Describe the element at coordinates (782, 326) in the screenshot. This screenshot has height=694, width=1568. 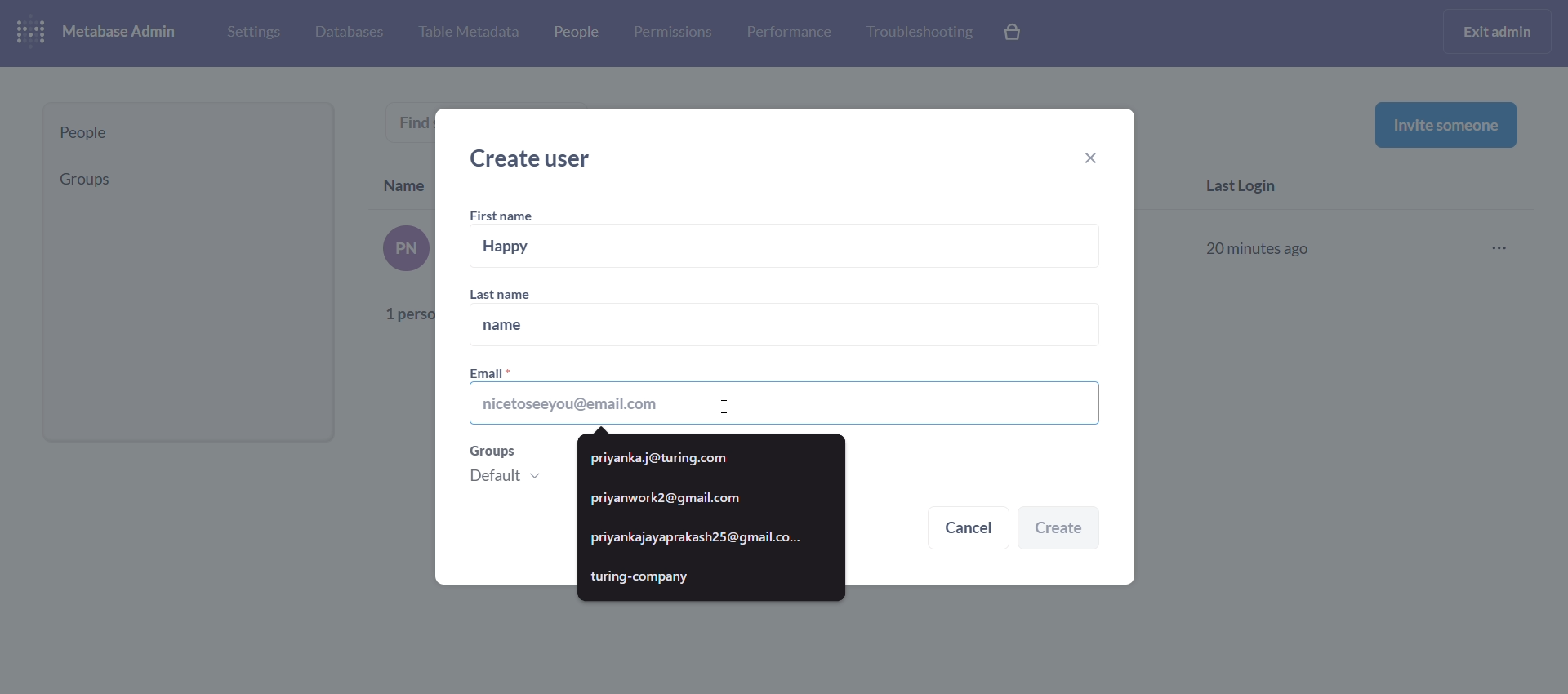
I see `name` at that location.